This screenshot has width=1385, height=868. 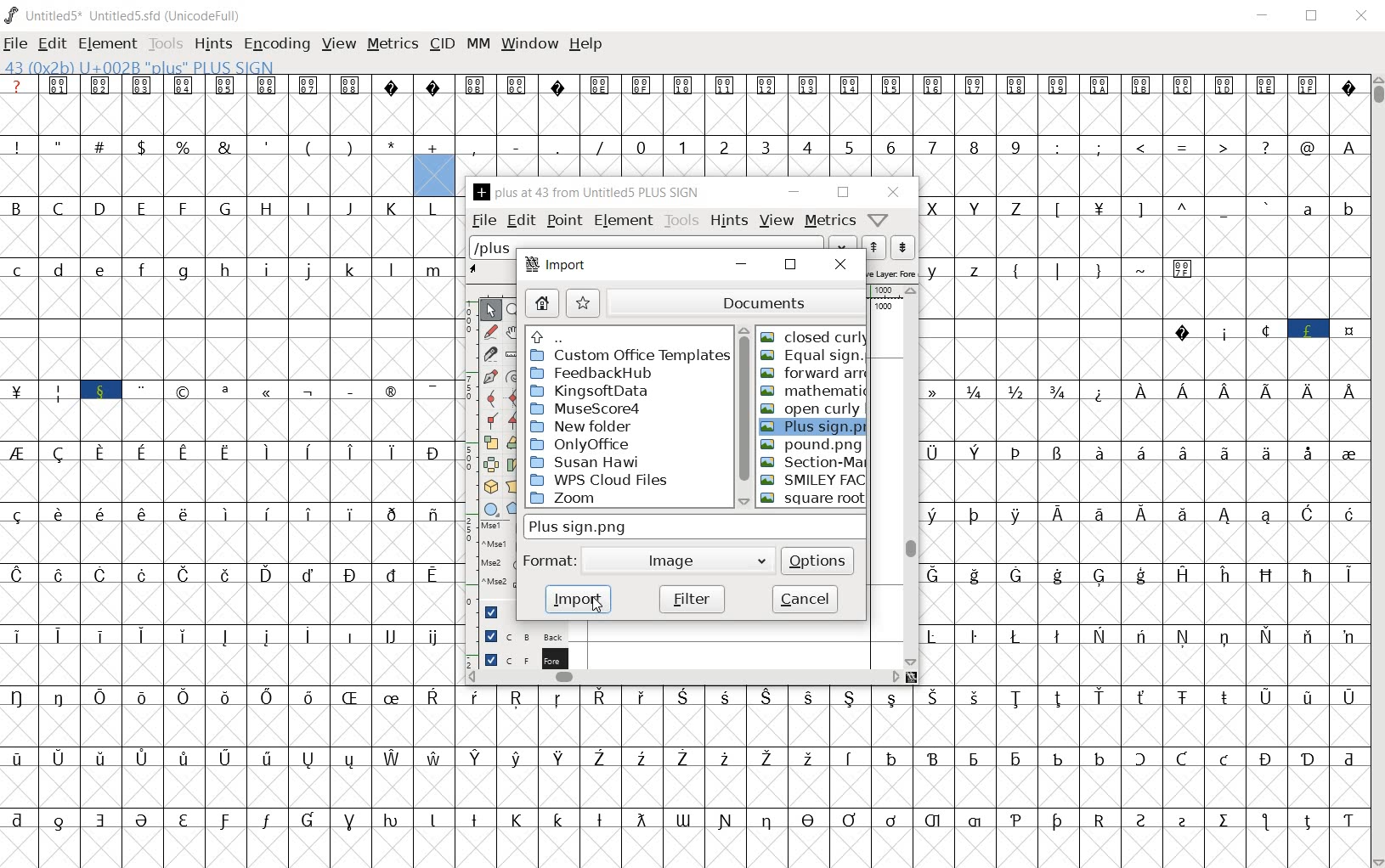 I want to click on Slot, so click(x=1284, y=287).